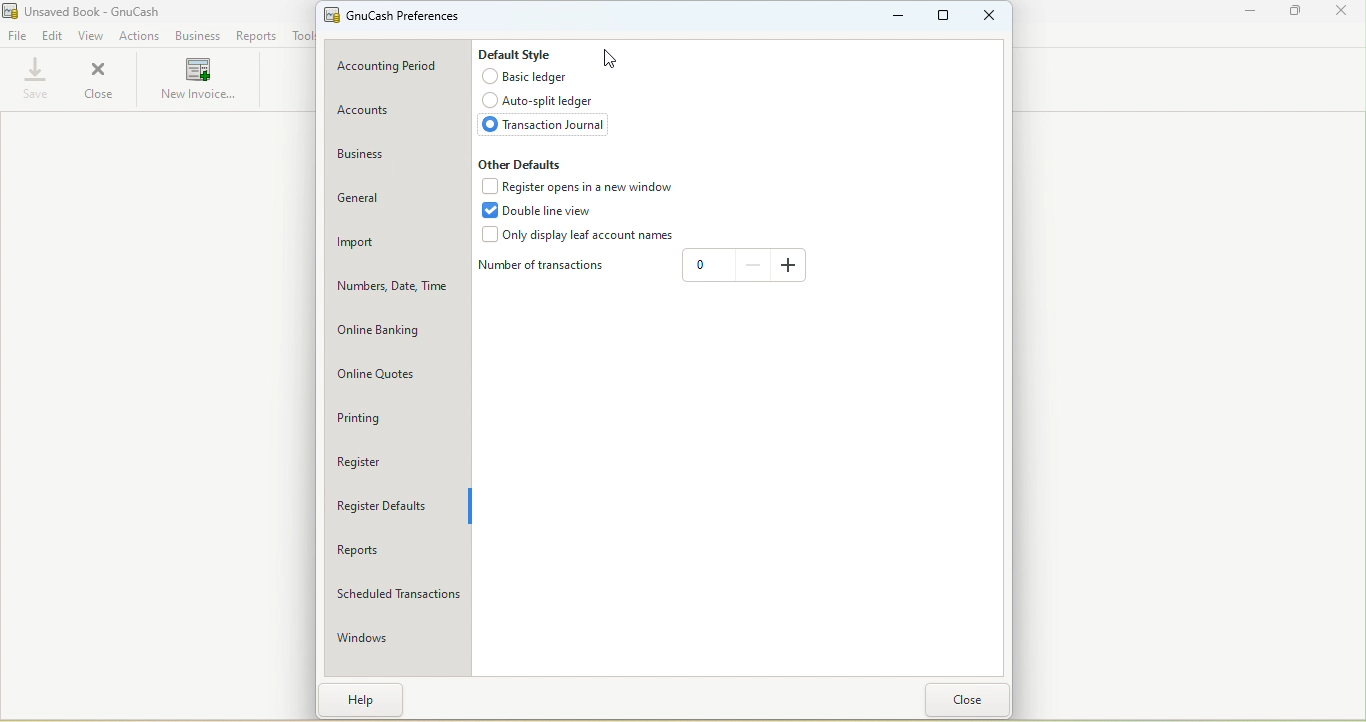 This screenshot has width=1366, height=722. What do you see at coordinates (961, 700) in the screenshot?
I see `Close` at bounding box center [961, 700].